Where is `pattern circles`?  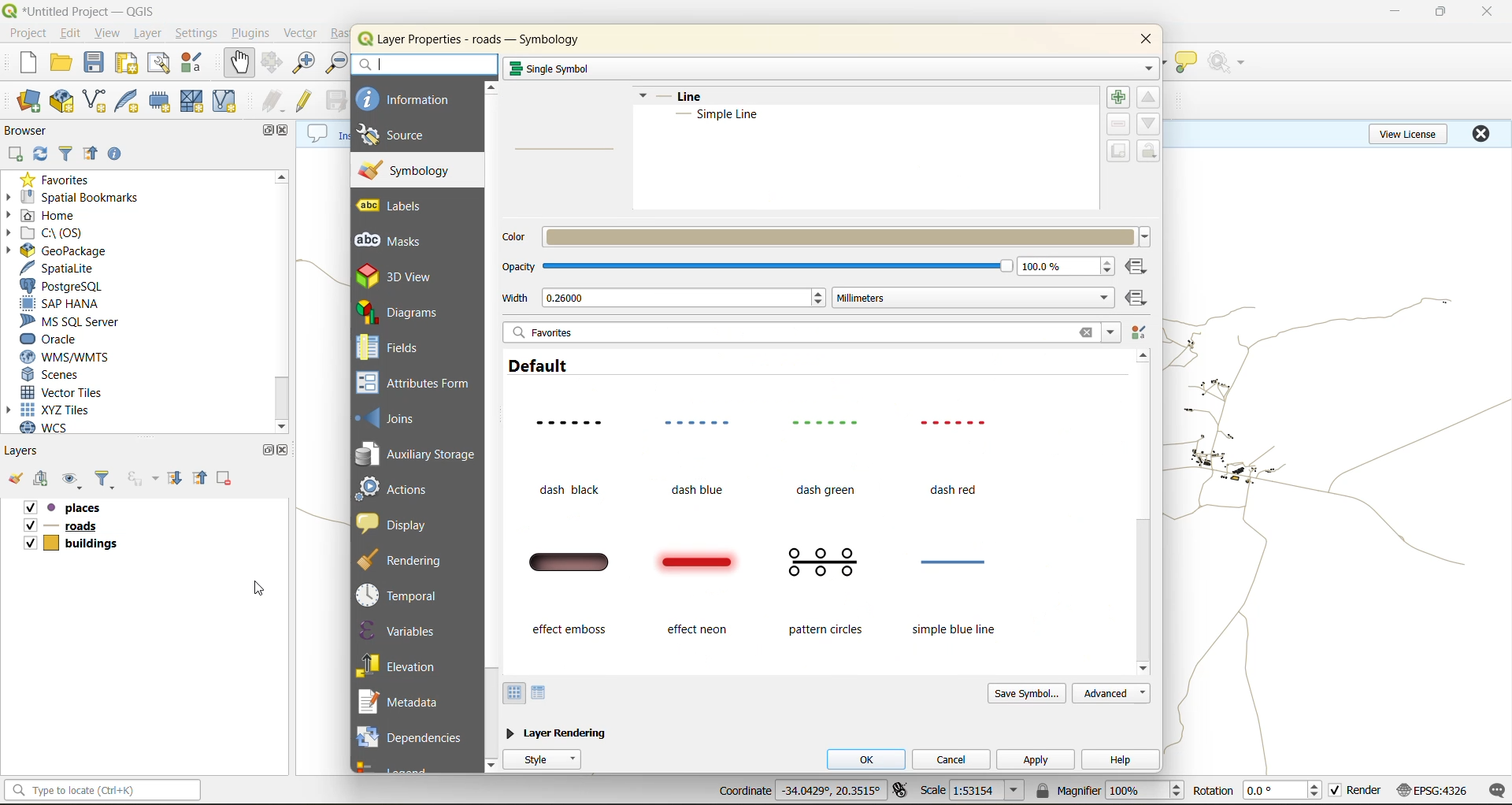
pattern circles is located at coordinates (828, 592).